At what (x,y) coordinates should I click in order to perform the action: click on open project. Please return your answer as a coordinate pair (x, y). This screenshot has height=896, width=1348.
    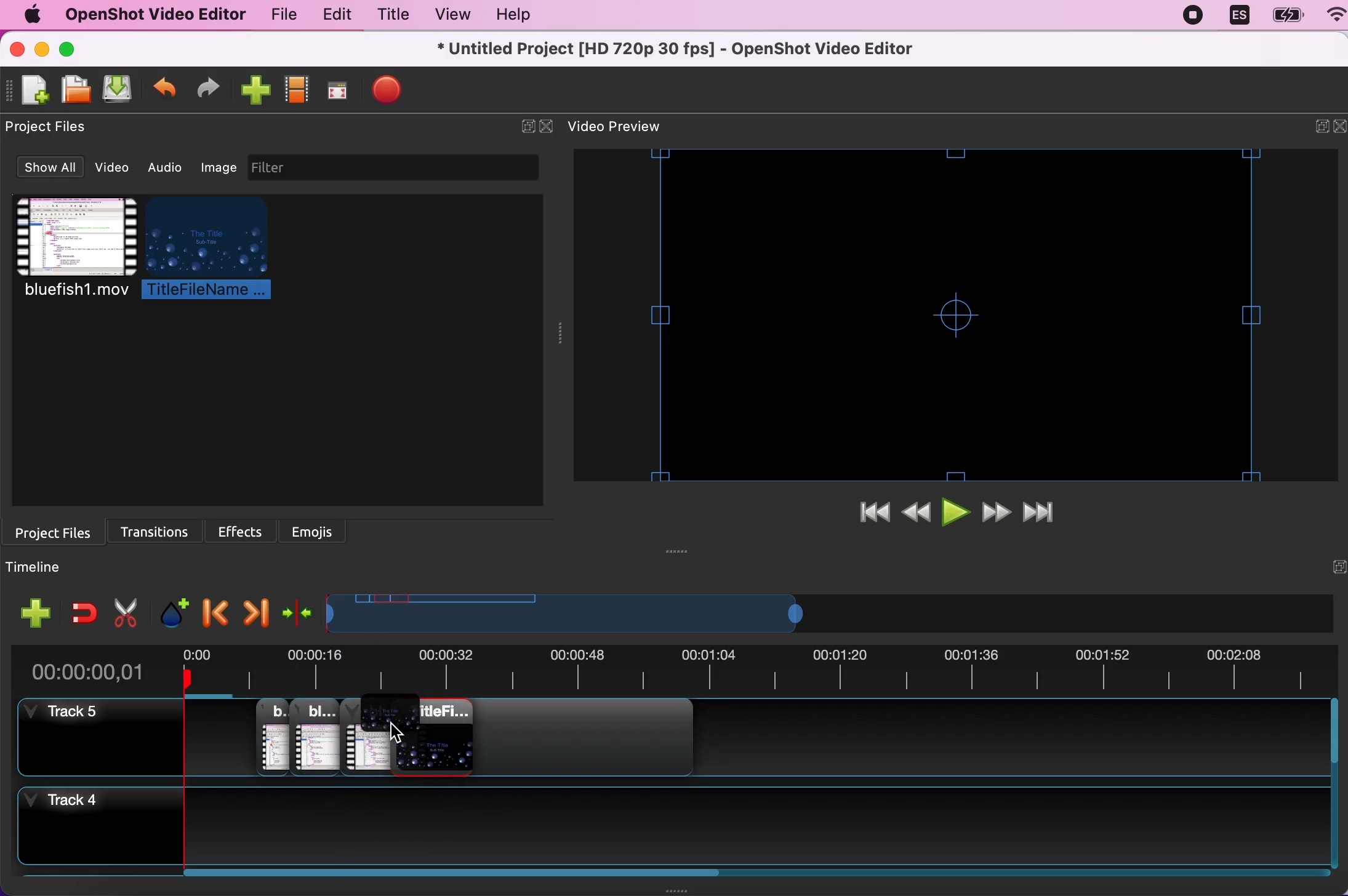
    Looking at the image, I should click on (74, 89).